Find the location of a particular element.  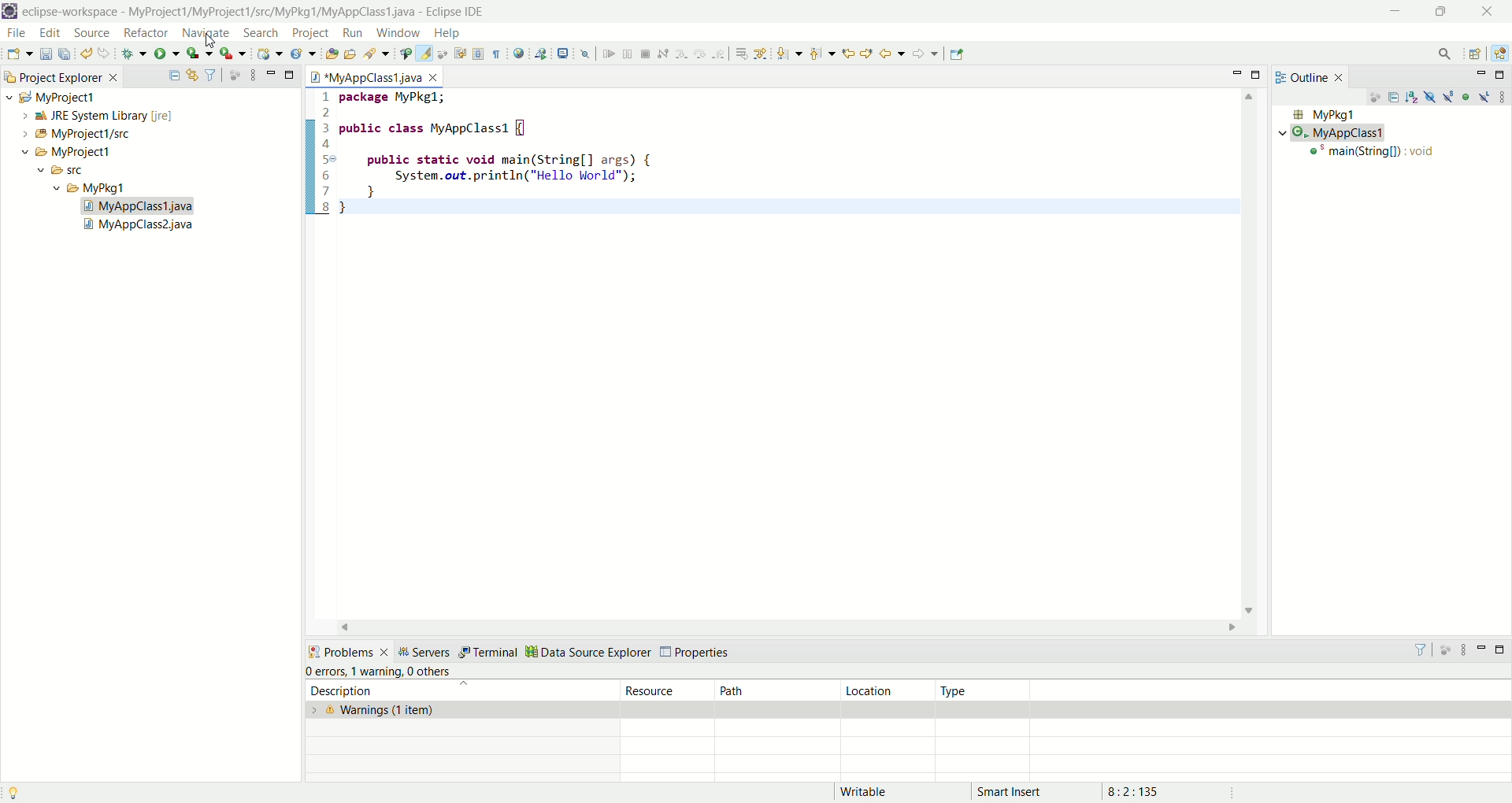

MyAppClass2.java is located at coordinates (141, 227).